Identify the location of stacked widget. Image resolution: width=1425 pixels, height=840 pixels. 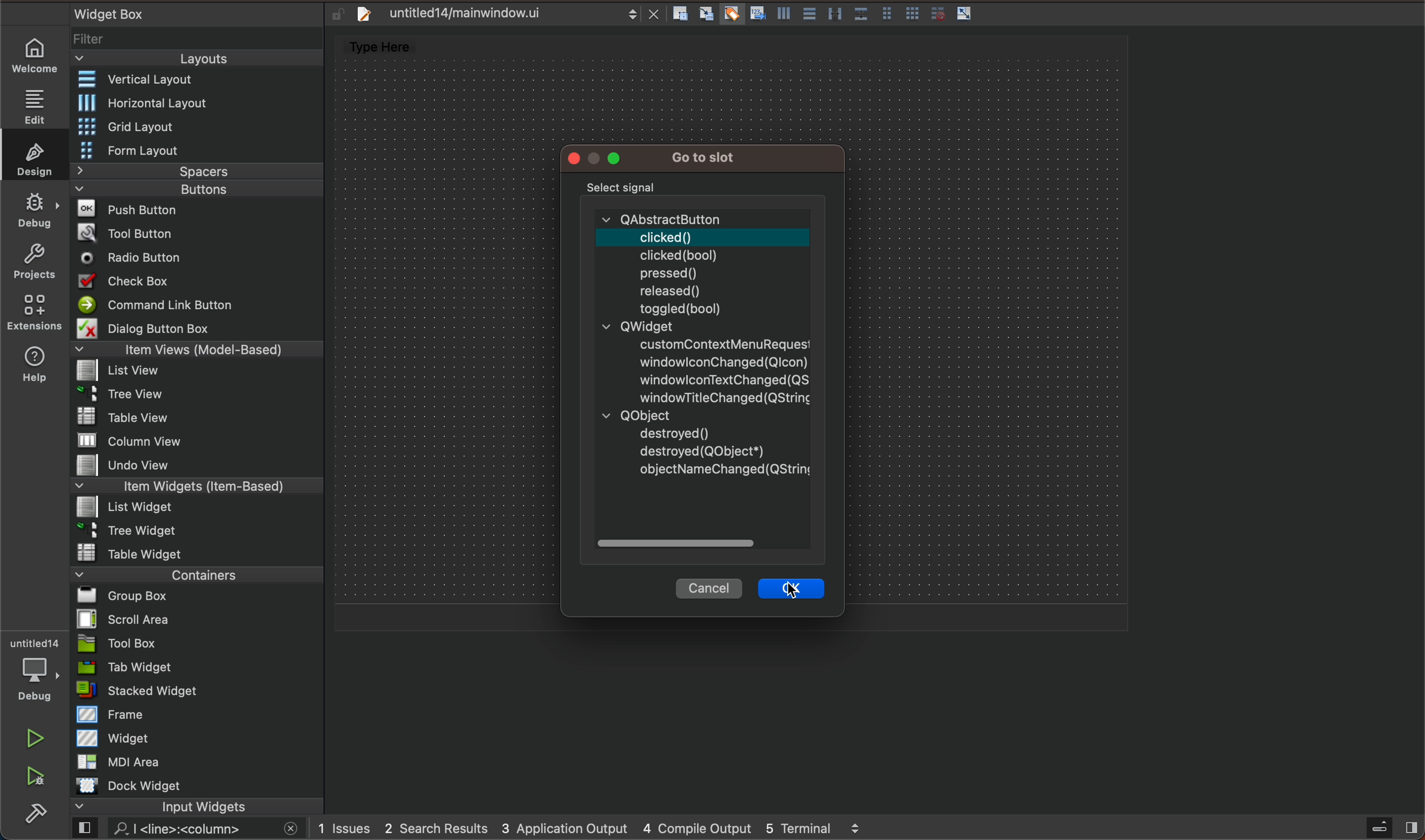
(200, 690).